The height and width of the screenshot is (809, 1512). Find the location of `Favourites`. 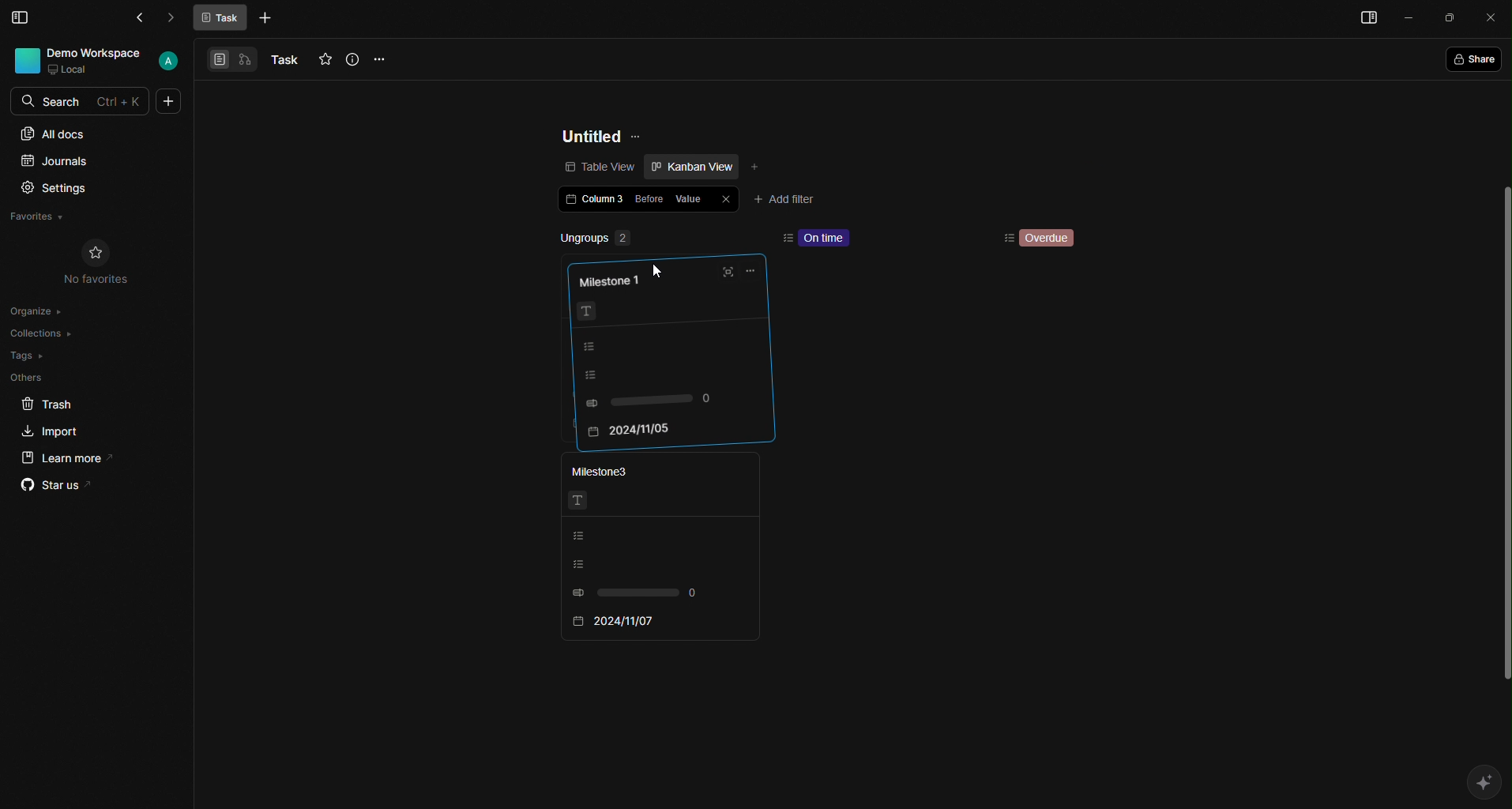

Favourites is located at coordinates (325, 58).